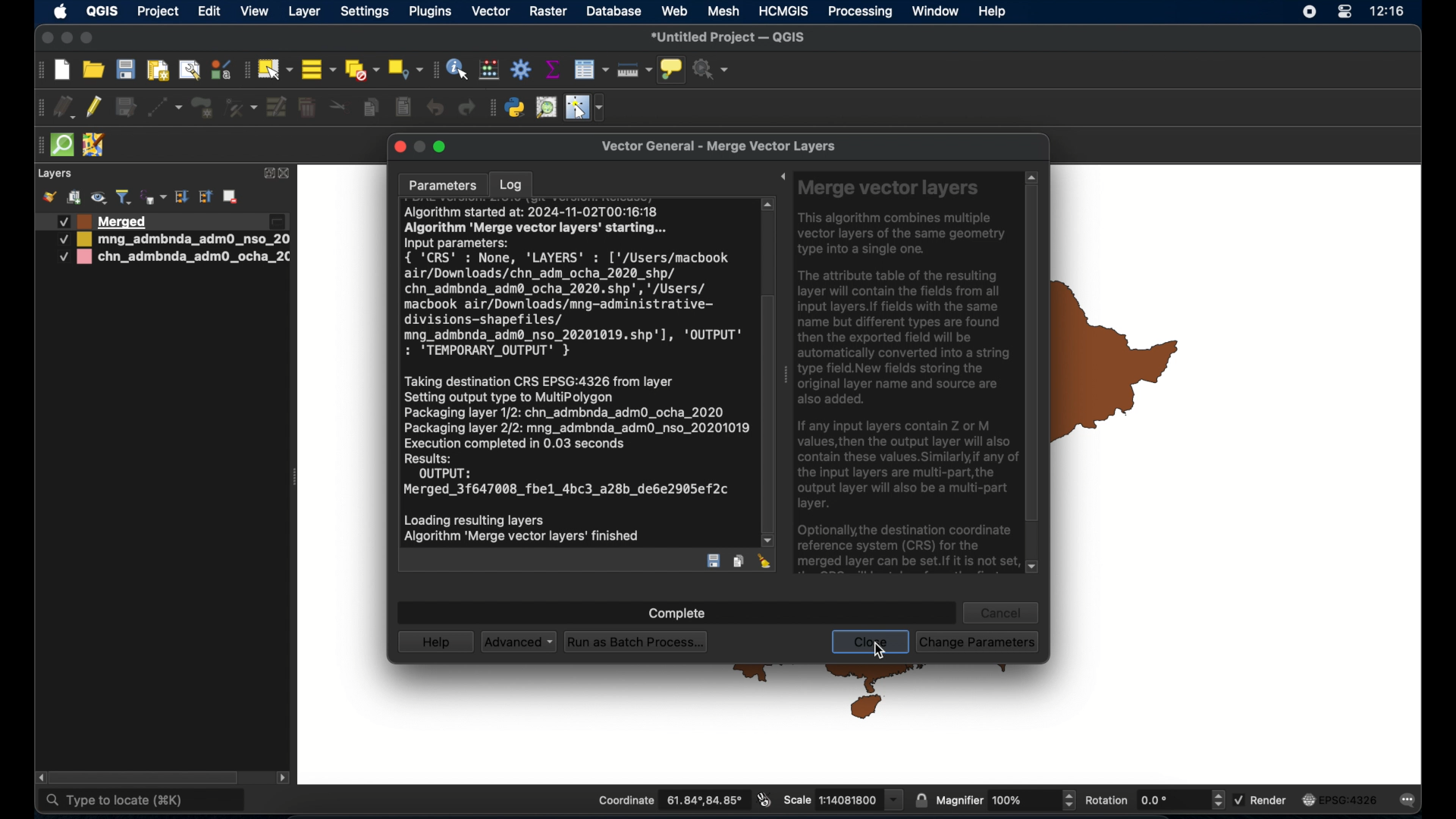 This screenshot has width=1456, height=819. Describe the element at coordinates (518, 642) in the screenshot. I see `advanced` at that location.